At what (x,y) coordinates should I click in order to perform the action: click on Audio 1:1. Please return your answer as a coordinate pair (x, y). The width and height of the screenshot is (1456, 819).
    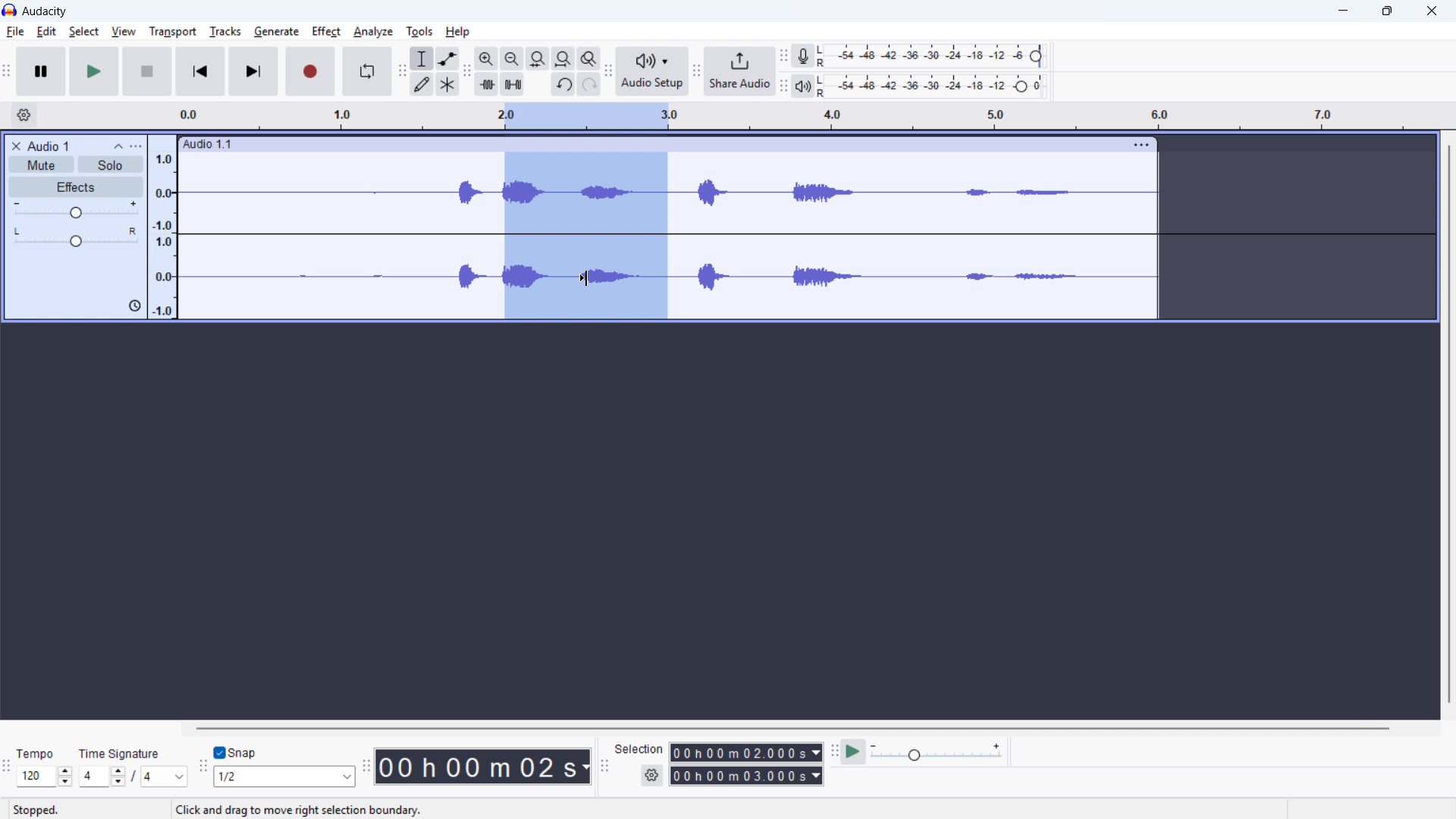
    Looking at the image, I should click on (649, 144).